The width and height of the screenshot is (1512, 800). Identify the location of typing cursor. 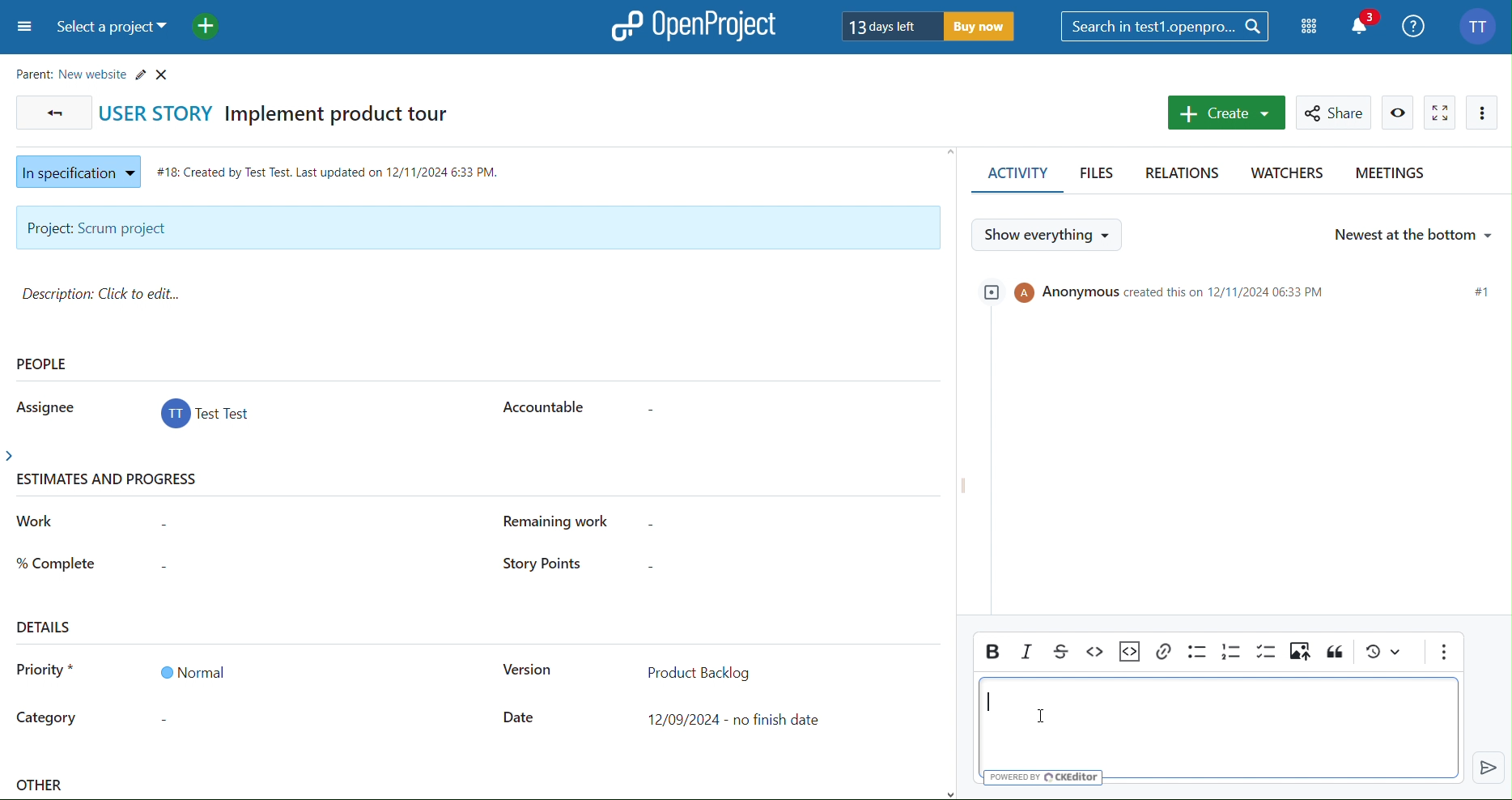
(993, 702).